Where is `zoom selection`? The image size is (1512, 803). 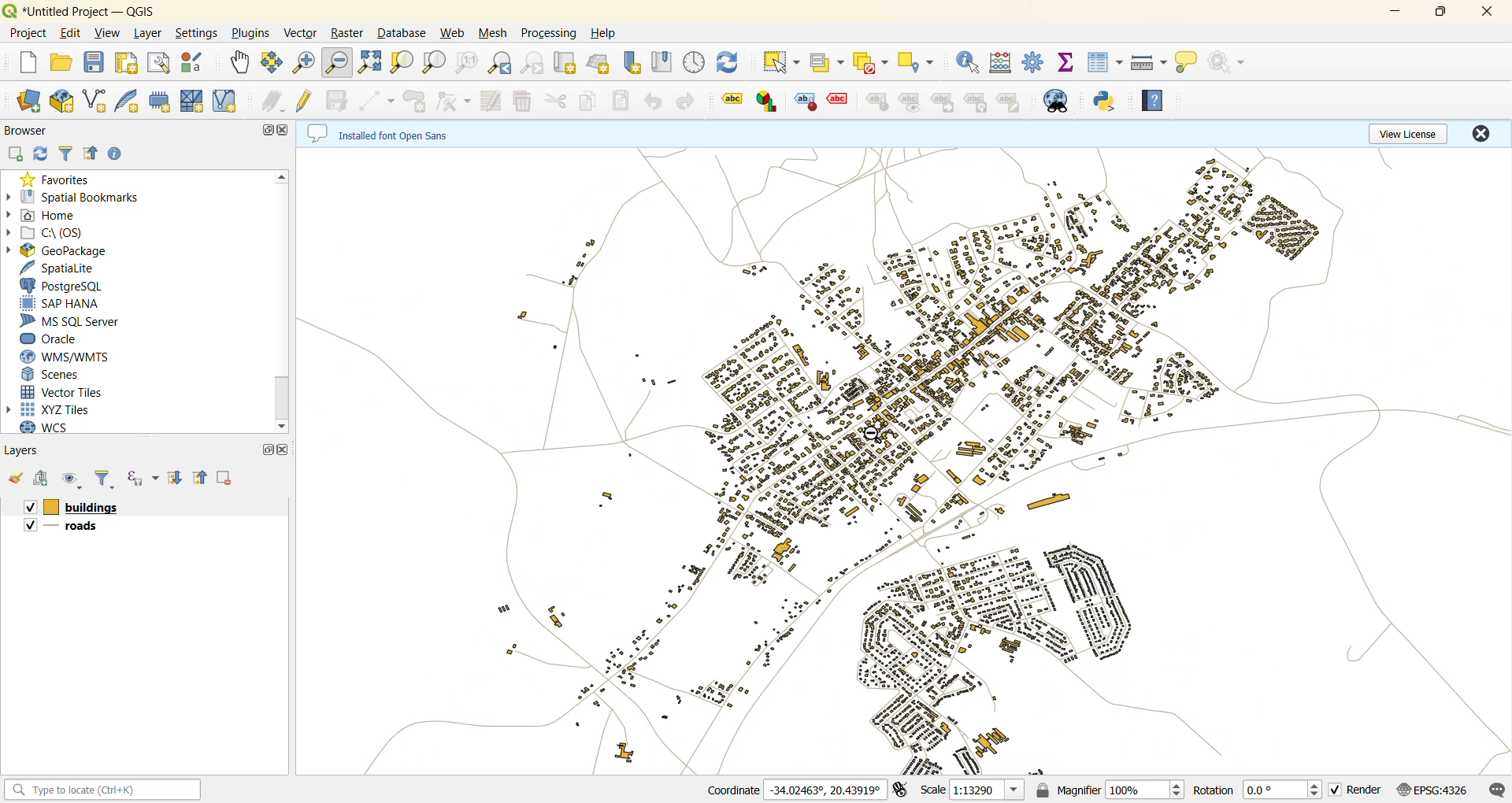
zoom selection is located at coordinates (401, 64).